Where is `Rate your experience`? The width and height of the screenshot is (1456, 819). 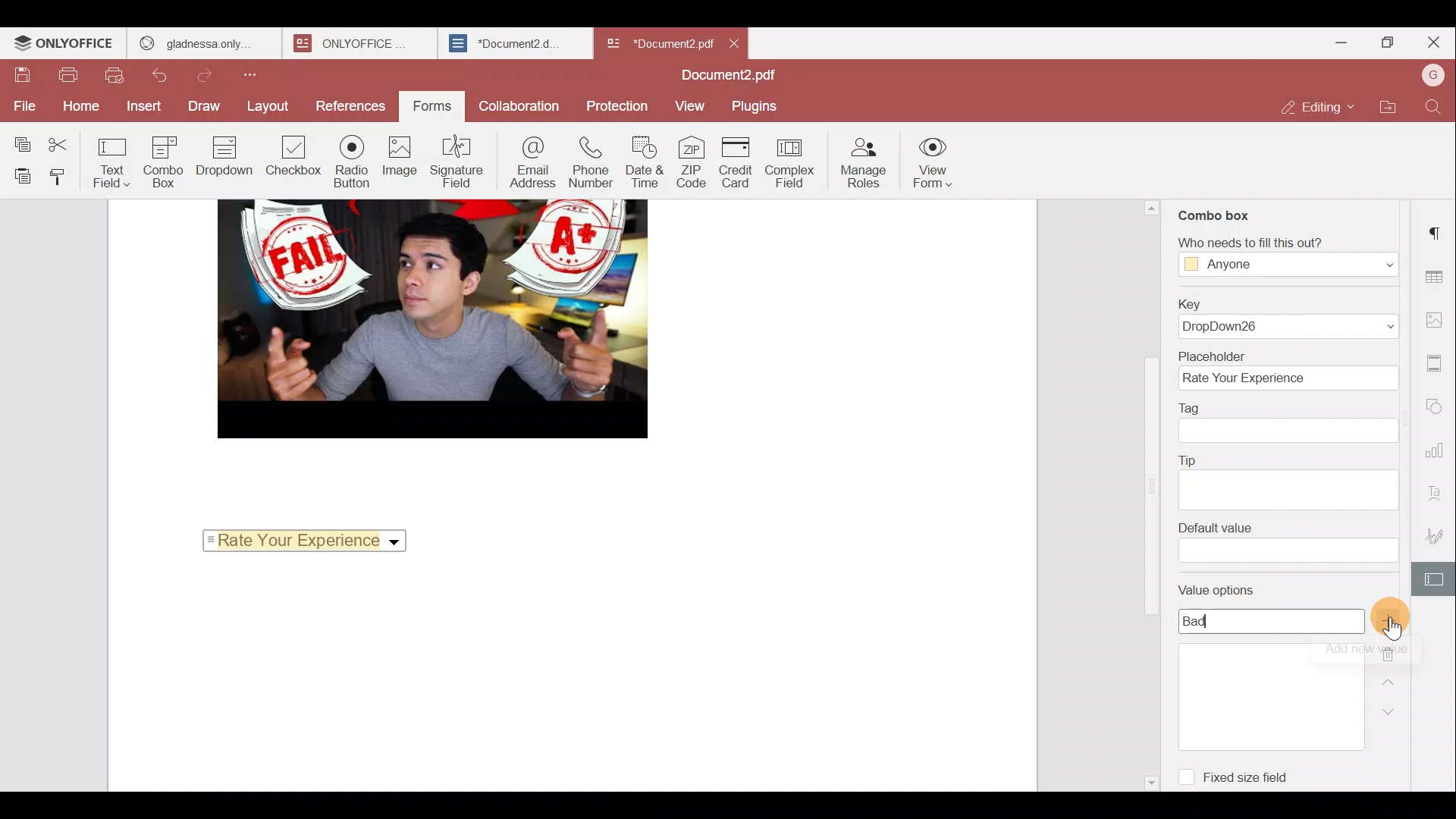
Rate your experience is located at coordinates (301, 539).